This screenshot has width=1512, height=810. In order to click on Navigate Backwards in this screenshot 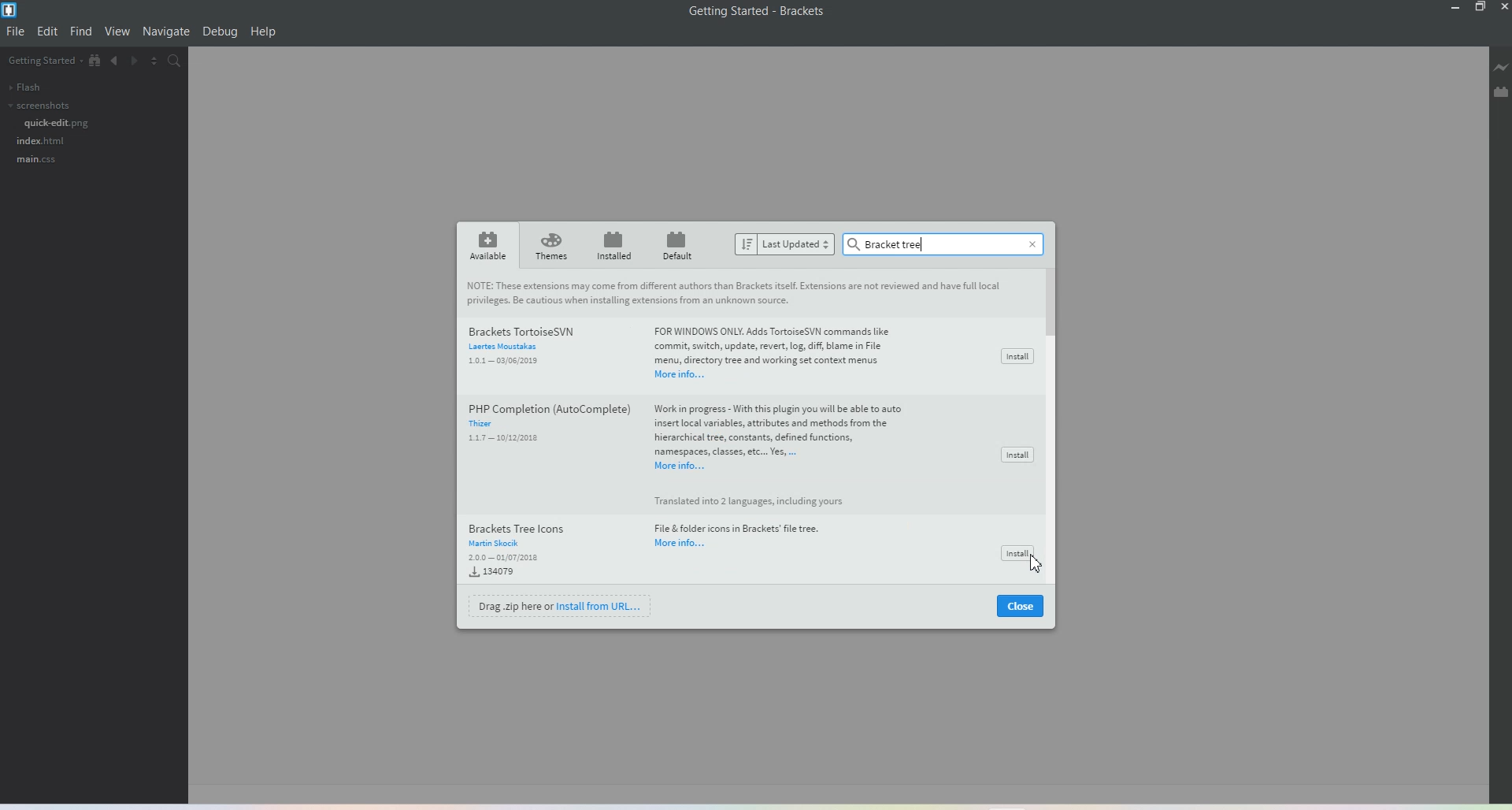, I will do `click(116, 63)`.